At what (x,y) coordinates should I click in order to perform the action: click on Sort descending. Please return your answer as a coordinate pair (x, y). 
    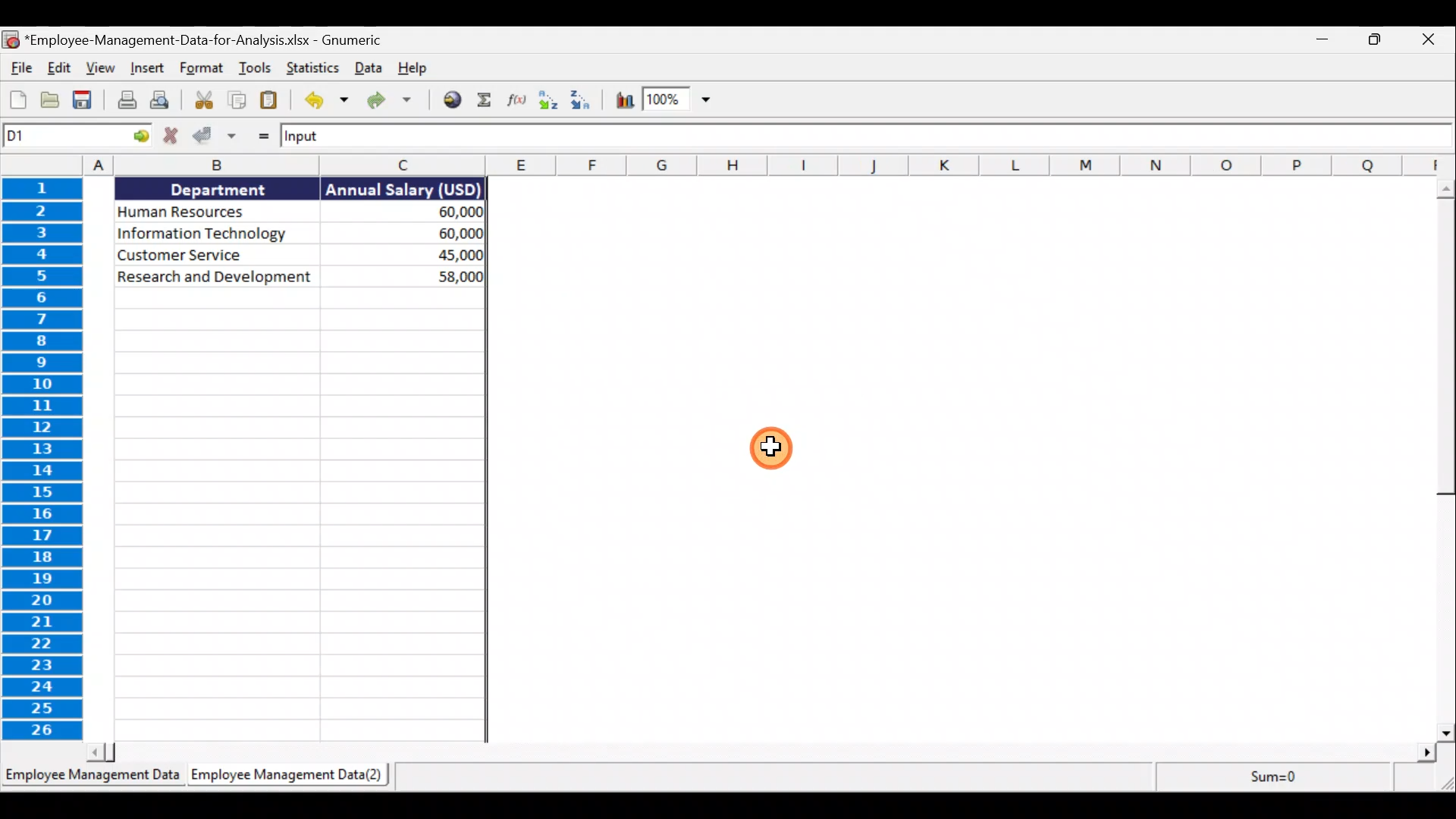
    Looking at the image, I should click on (583, 102).